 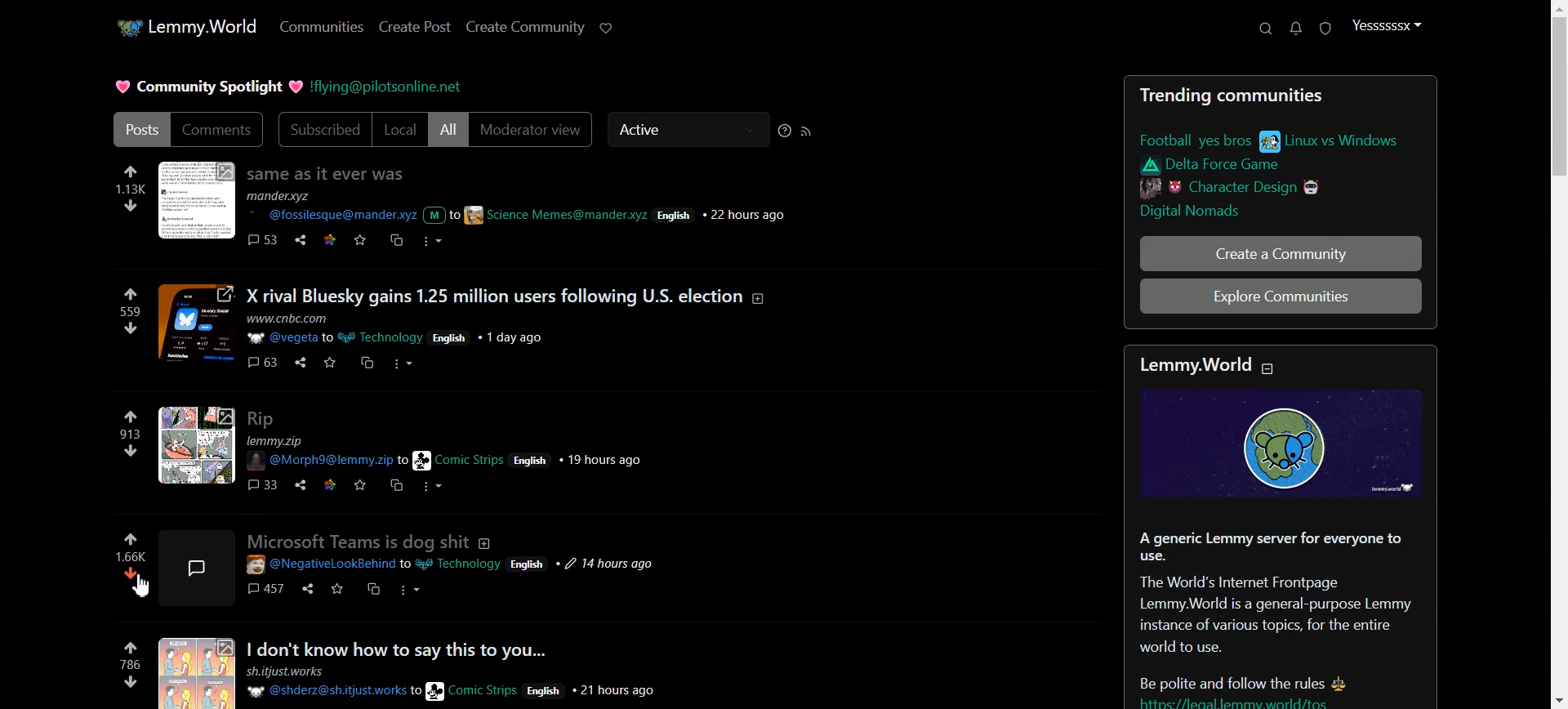 What do you see at coordinates (360, 240) in the screenshot?
I see `save` at bounding box center [360, 240].